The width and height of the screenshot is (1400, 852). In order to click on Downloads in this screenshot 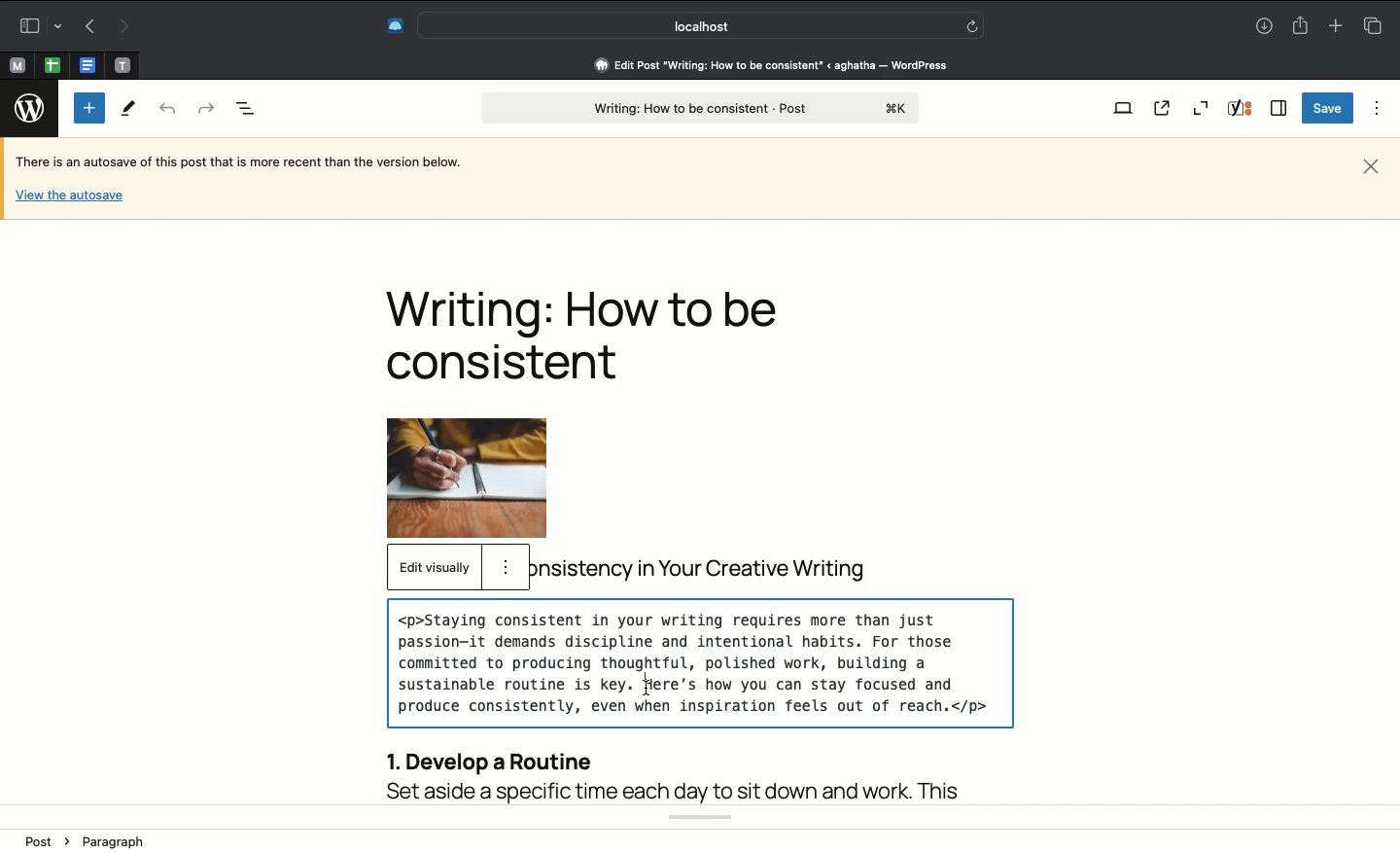, I will do `click(1264, 27)`.